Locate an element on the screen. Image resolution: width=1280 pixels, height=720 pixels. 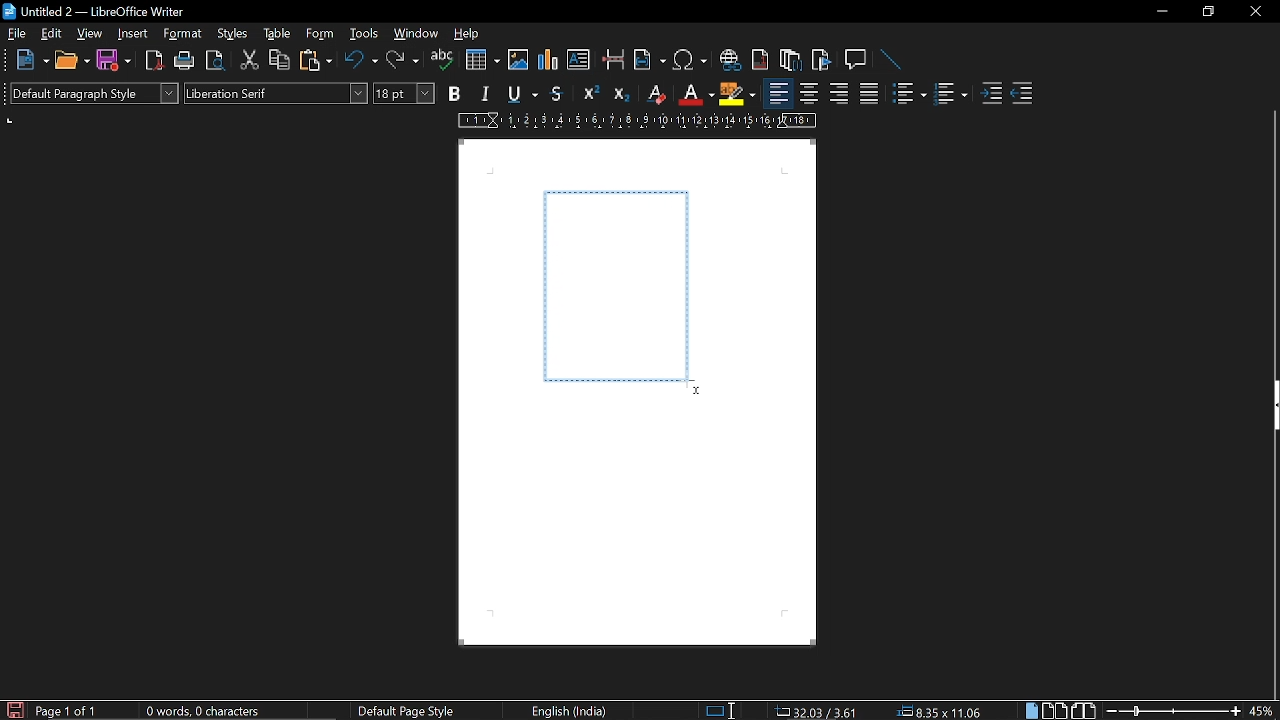
help is located at coordinates (469, 37).